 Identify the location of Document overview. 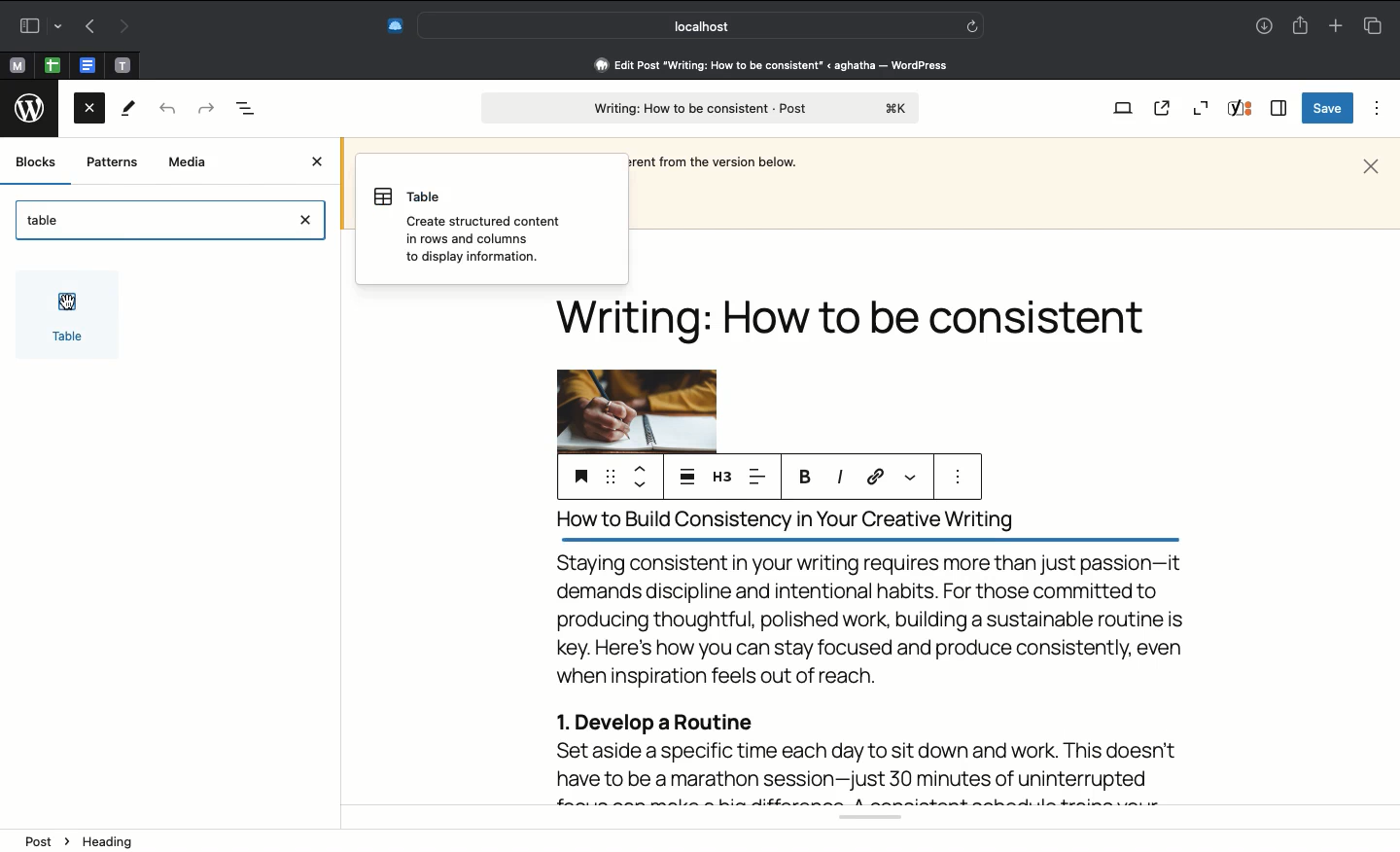
(247, 109).